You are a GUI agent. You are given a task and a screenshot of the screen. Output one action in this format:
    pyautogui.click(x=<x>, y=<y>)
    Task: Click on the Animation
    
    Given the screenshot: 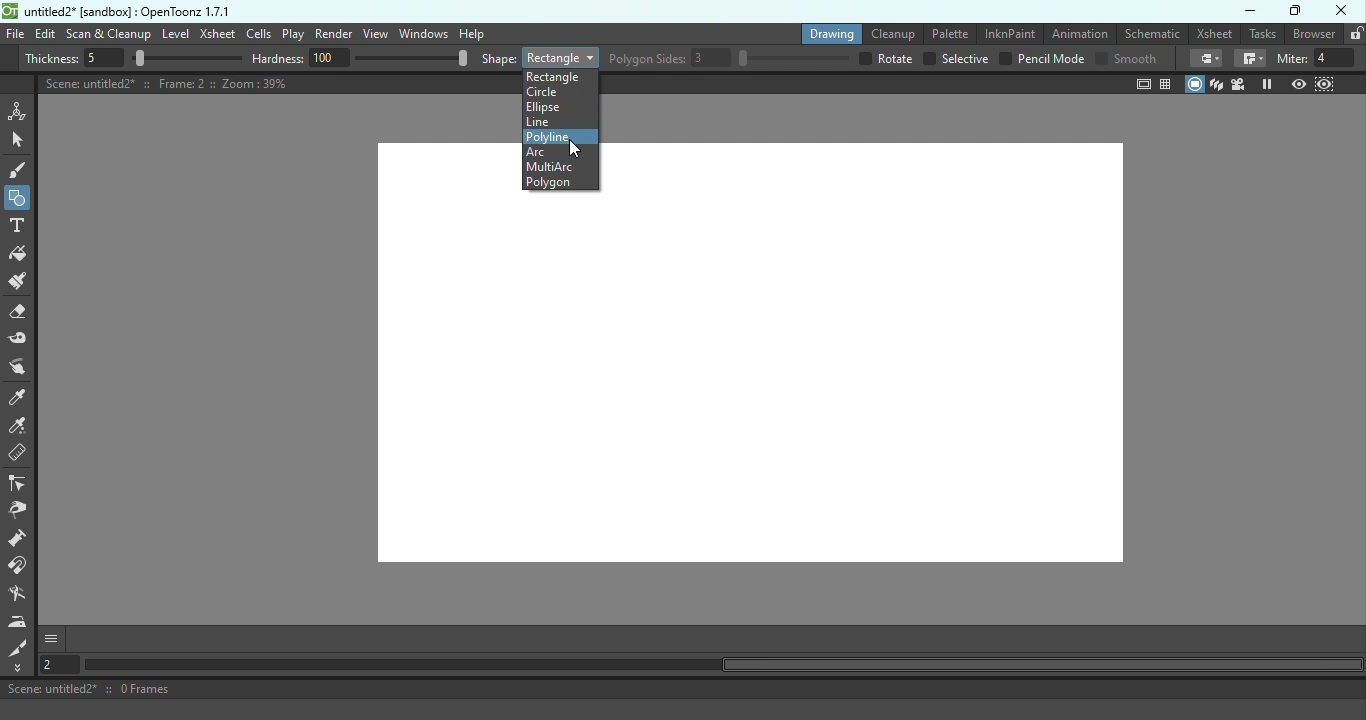 What is the action you would take?
    pyautogui.click(x=1078, y=34)
    